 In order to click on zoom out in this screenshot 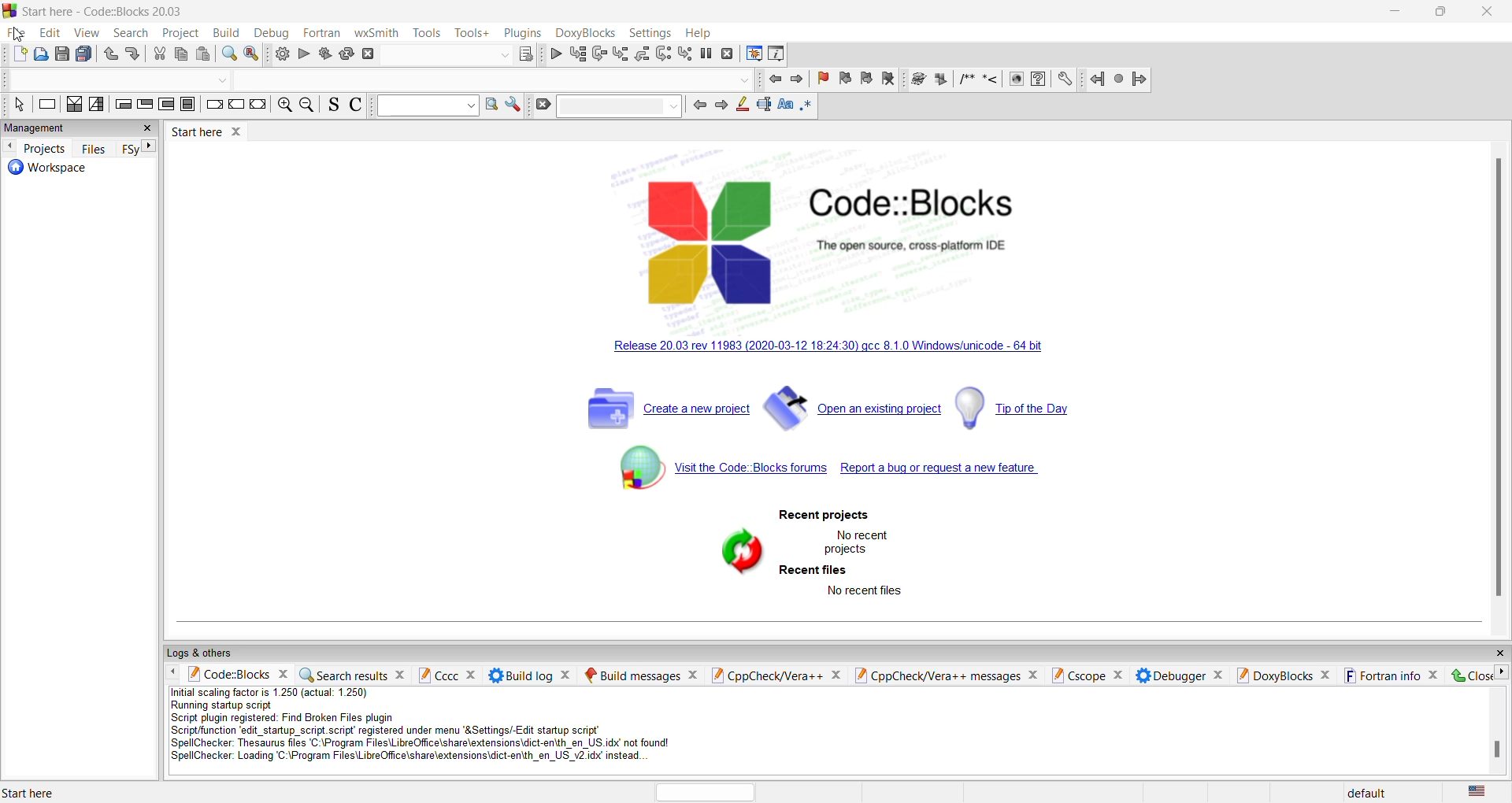, I will do `click(309, 105)`.